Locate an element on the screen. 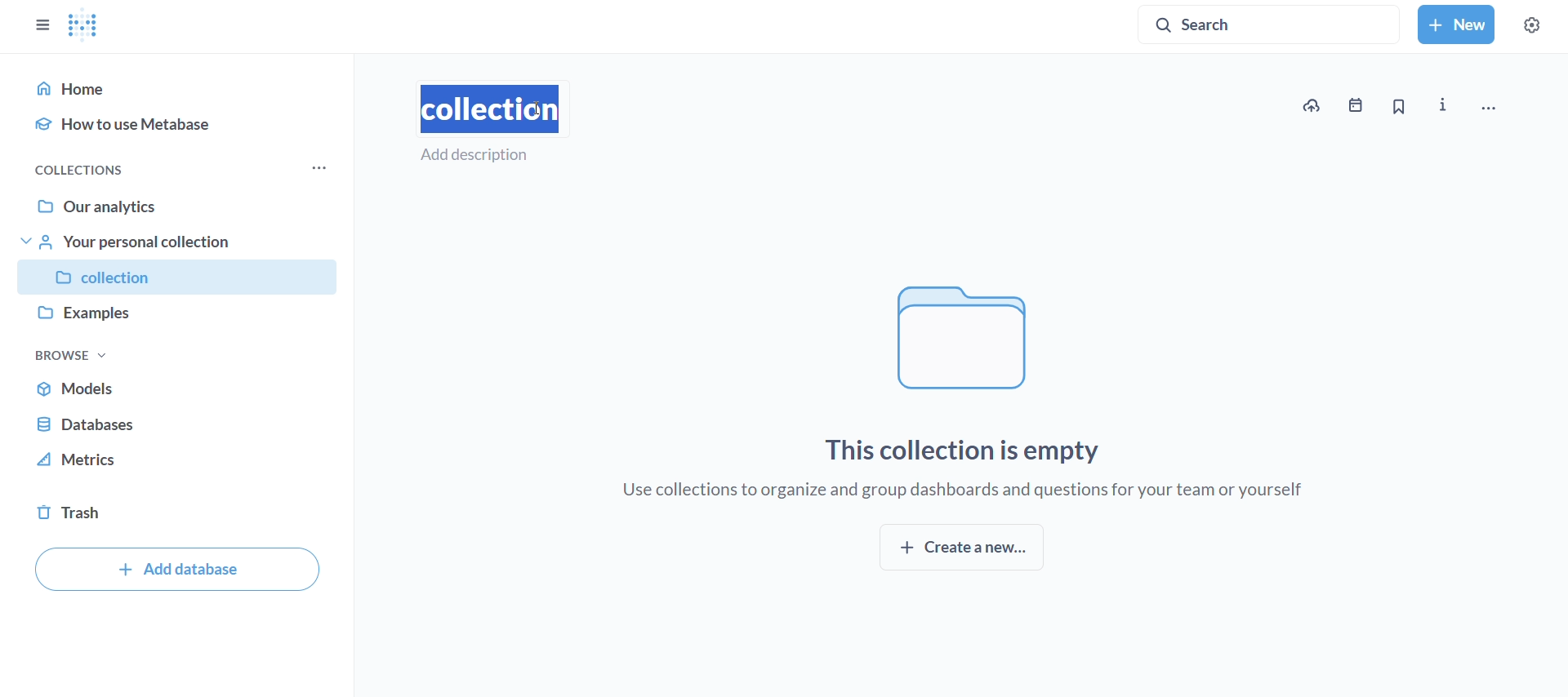 The width and height of the screenshot is (1568, 697). search is located at coordinates (1270, 22).